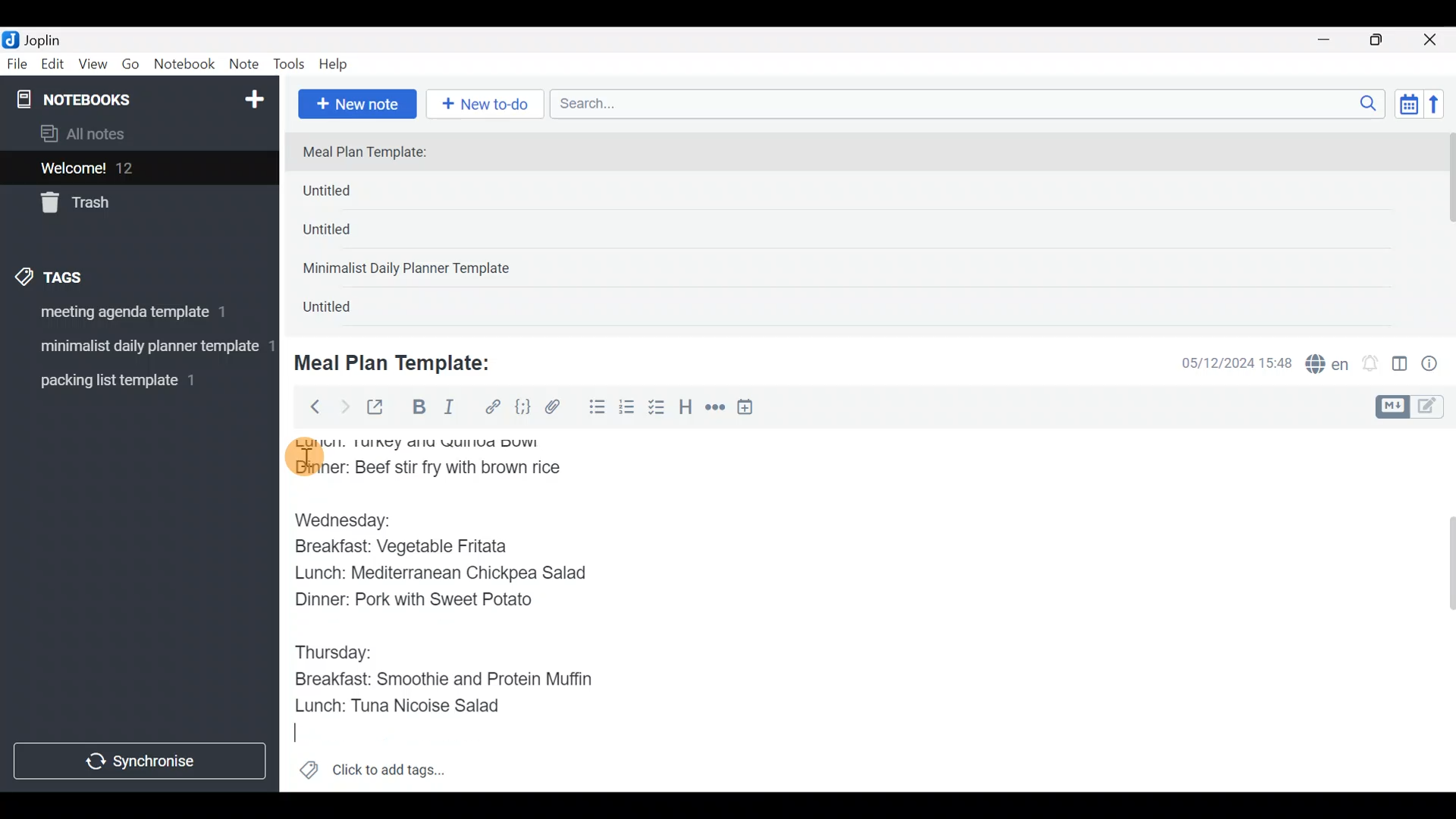  I want to click on Bold, so click(418, 409).